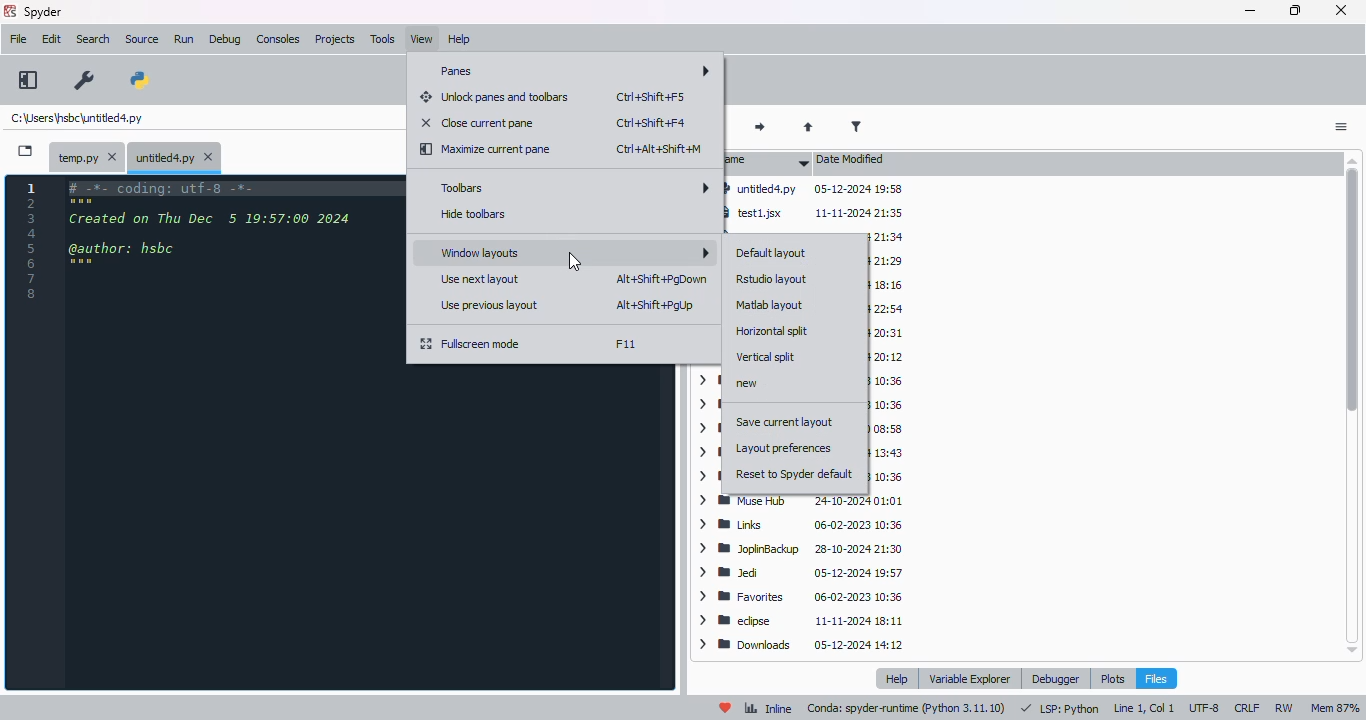 This screenshot has width=1366, height=720. What do you see at coordinates (766, 356) in the screenshot?
I see `vertical split` at bounding box center [766, 356].